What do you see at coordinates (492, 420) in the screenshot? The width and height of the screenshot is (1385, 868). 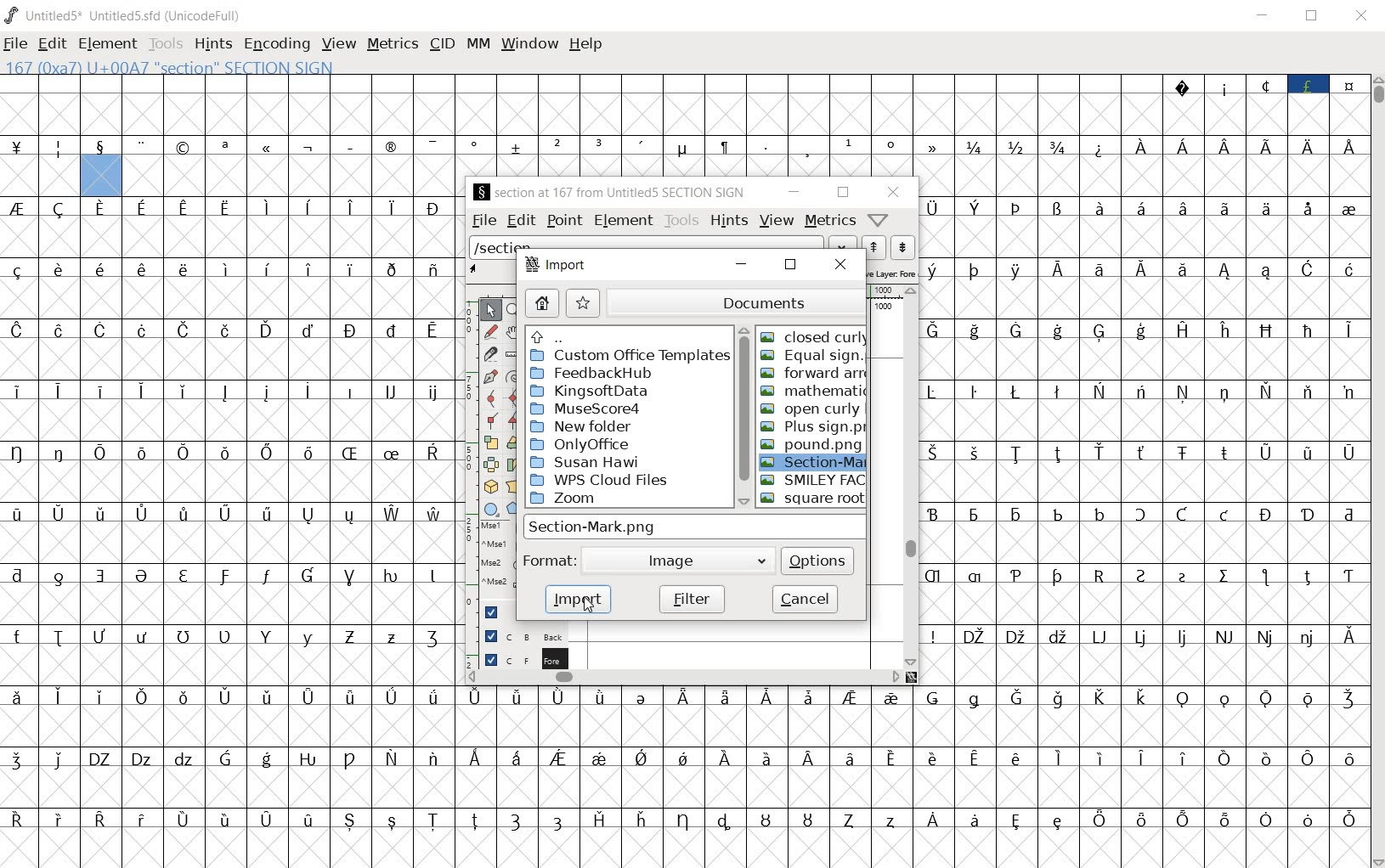 I see `Add a corner point` at bounding box center [492, 420].